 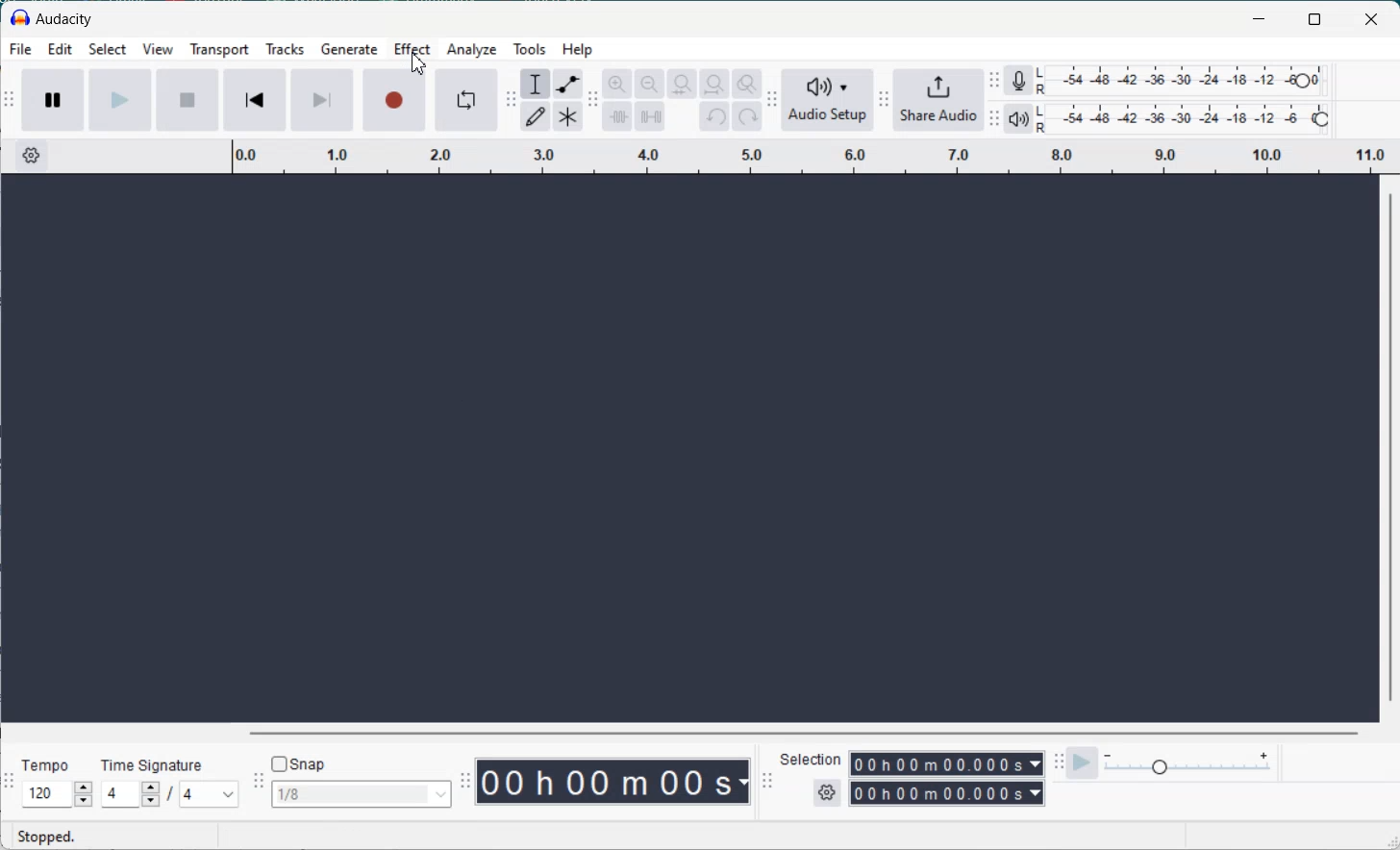 What do you see at coordinates (827, 99) in the screenshot?
I see `Audio Setup` at bounding box center [827, 99].